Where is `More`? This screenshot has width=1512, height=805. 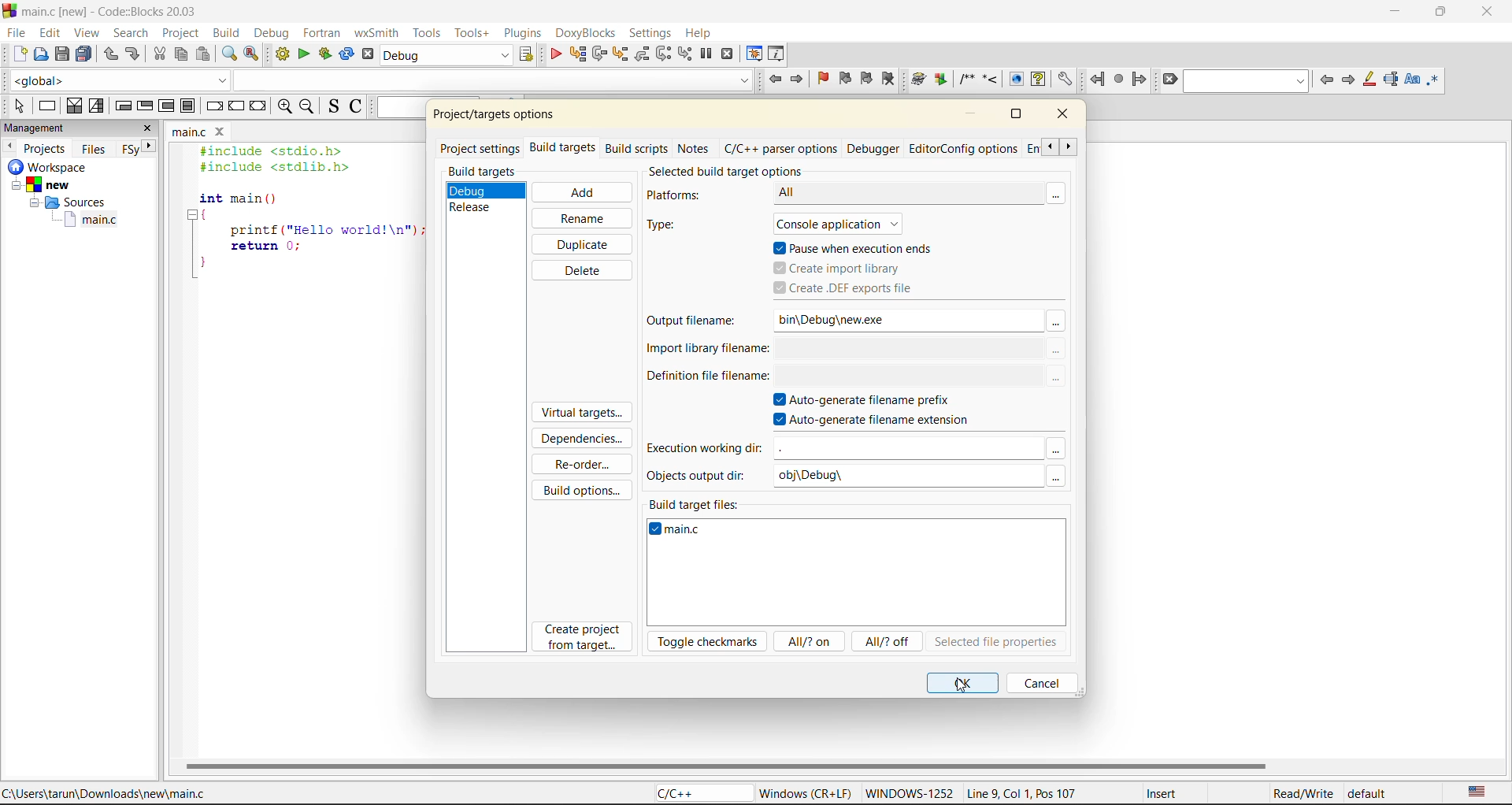
More is located at coordinates (1055, 477).